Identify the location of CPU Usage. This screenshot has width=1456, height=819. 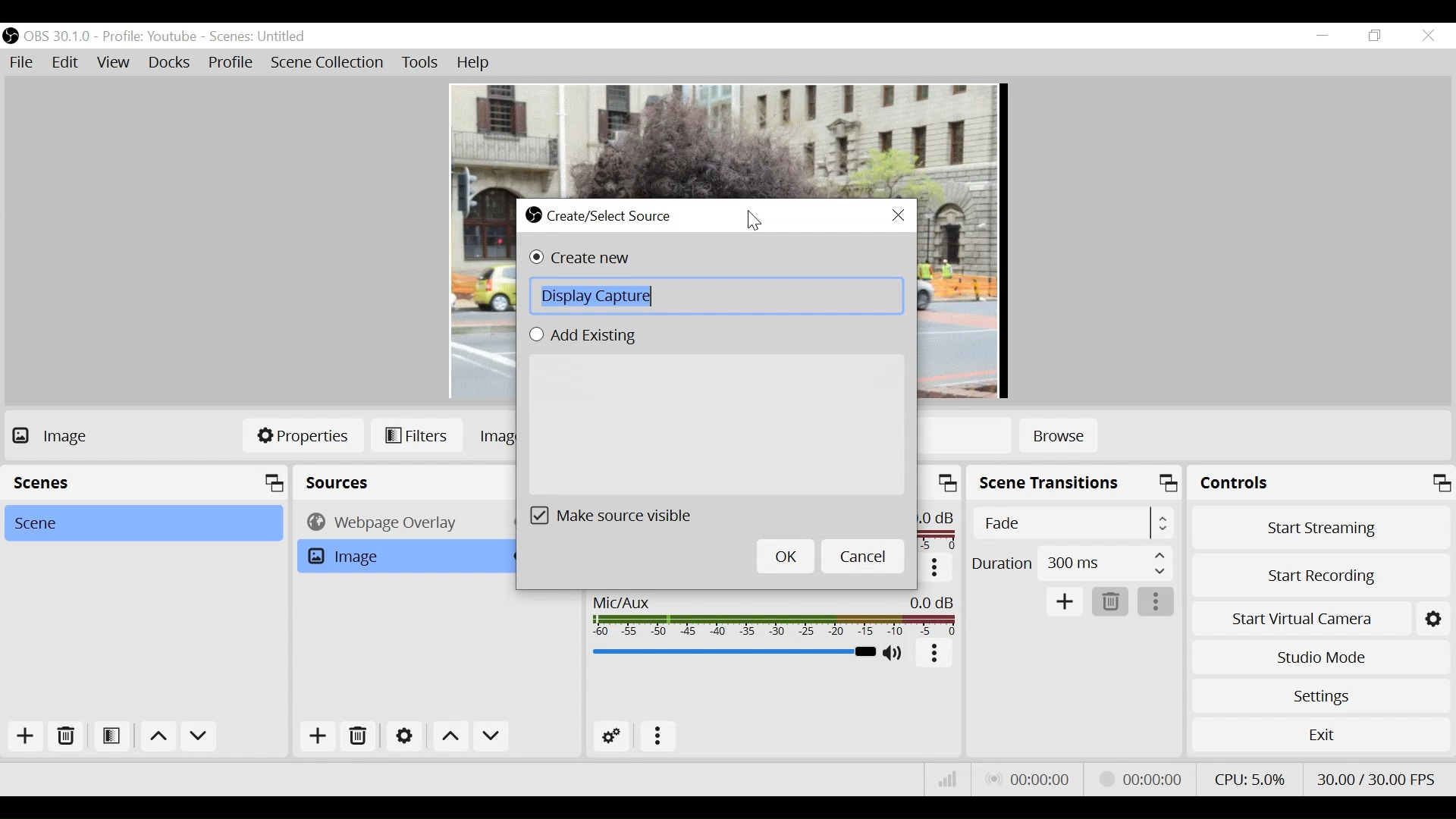
(1250, 779).